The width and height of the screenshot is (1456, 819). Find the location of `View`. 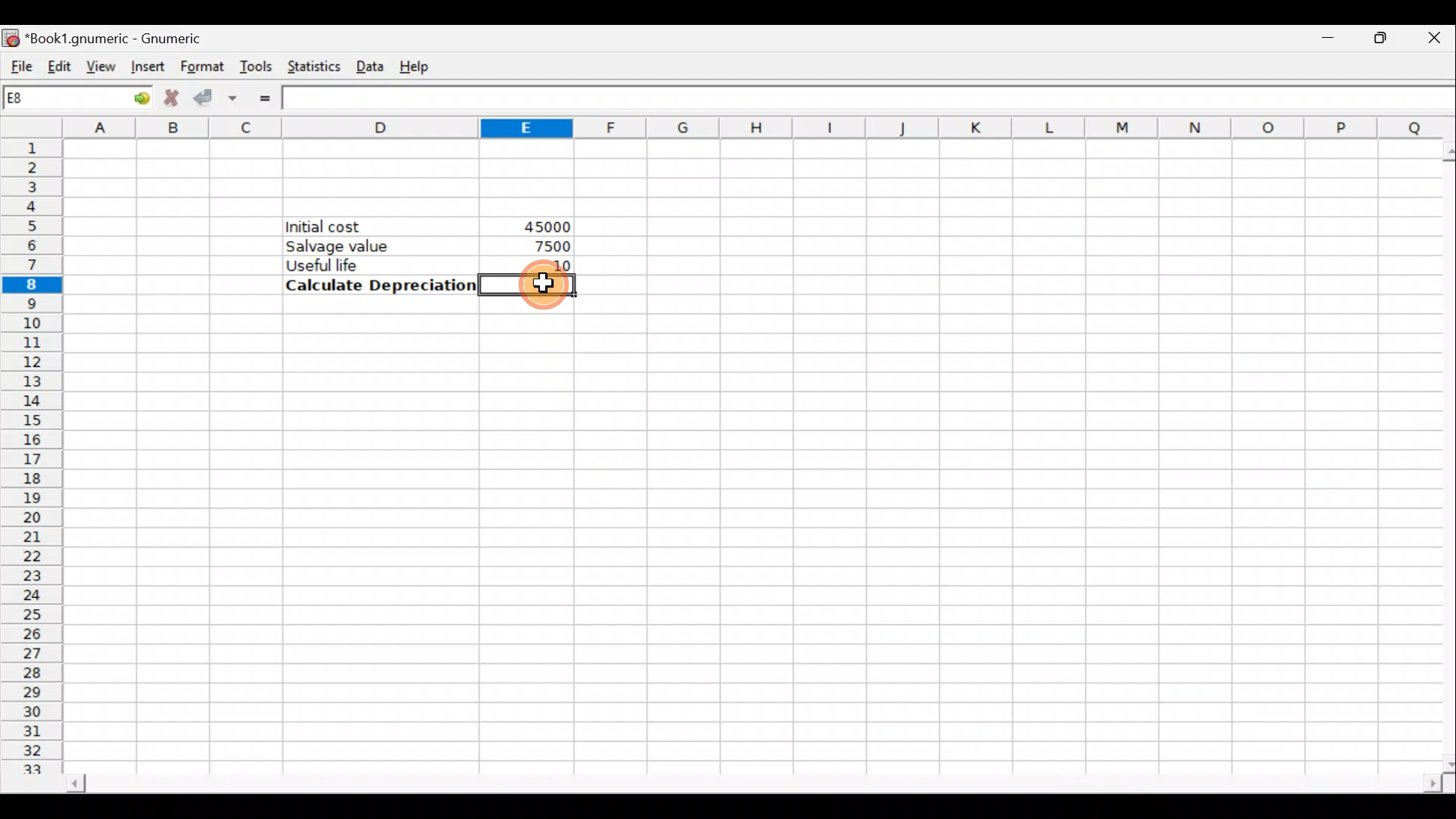

View is located at coordinates (100, 64).